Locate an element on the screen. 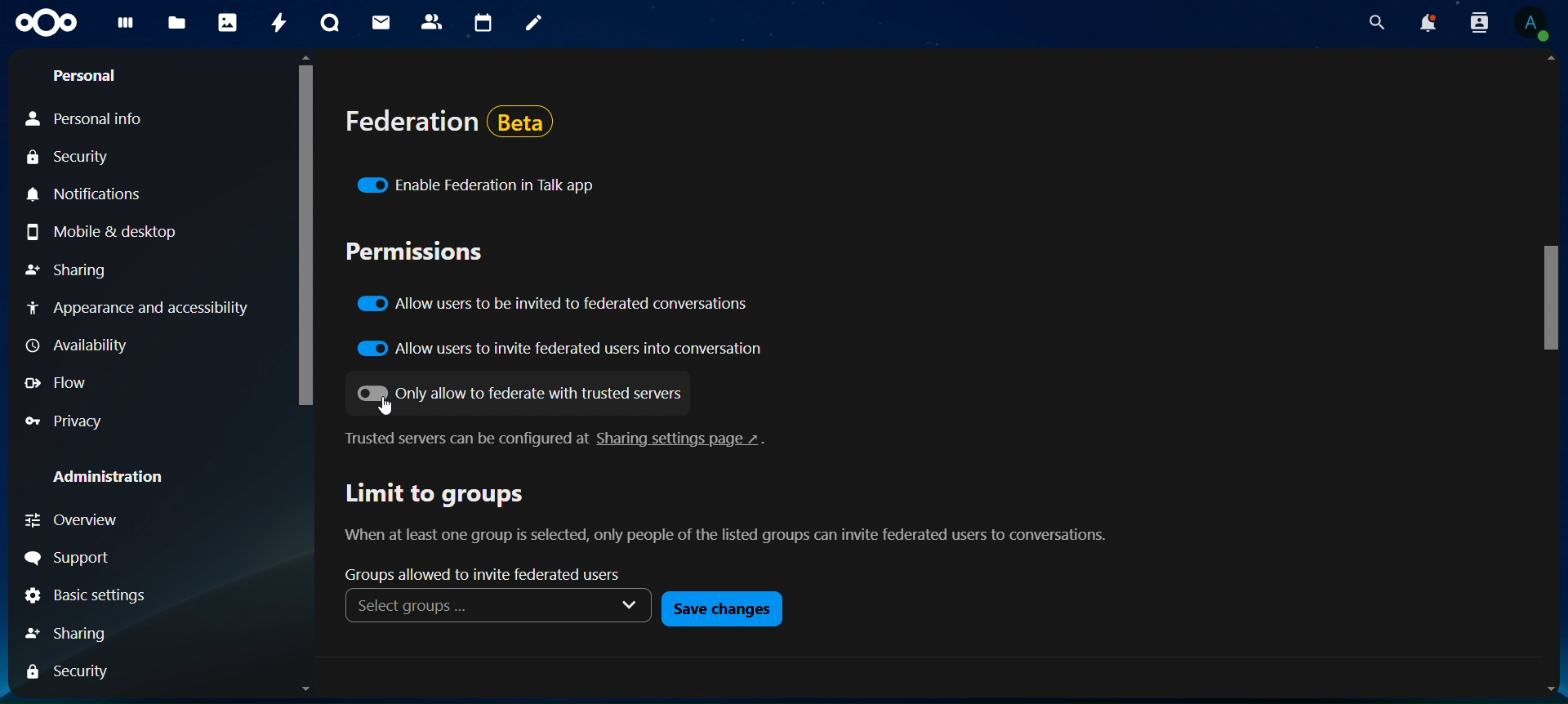 The image size is (1568, 704). security is located at coordinates (67, 158).